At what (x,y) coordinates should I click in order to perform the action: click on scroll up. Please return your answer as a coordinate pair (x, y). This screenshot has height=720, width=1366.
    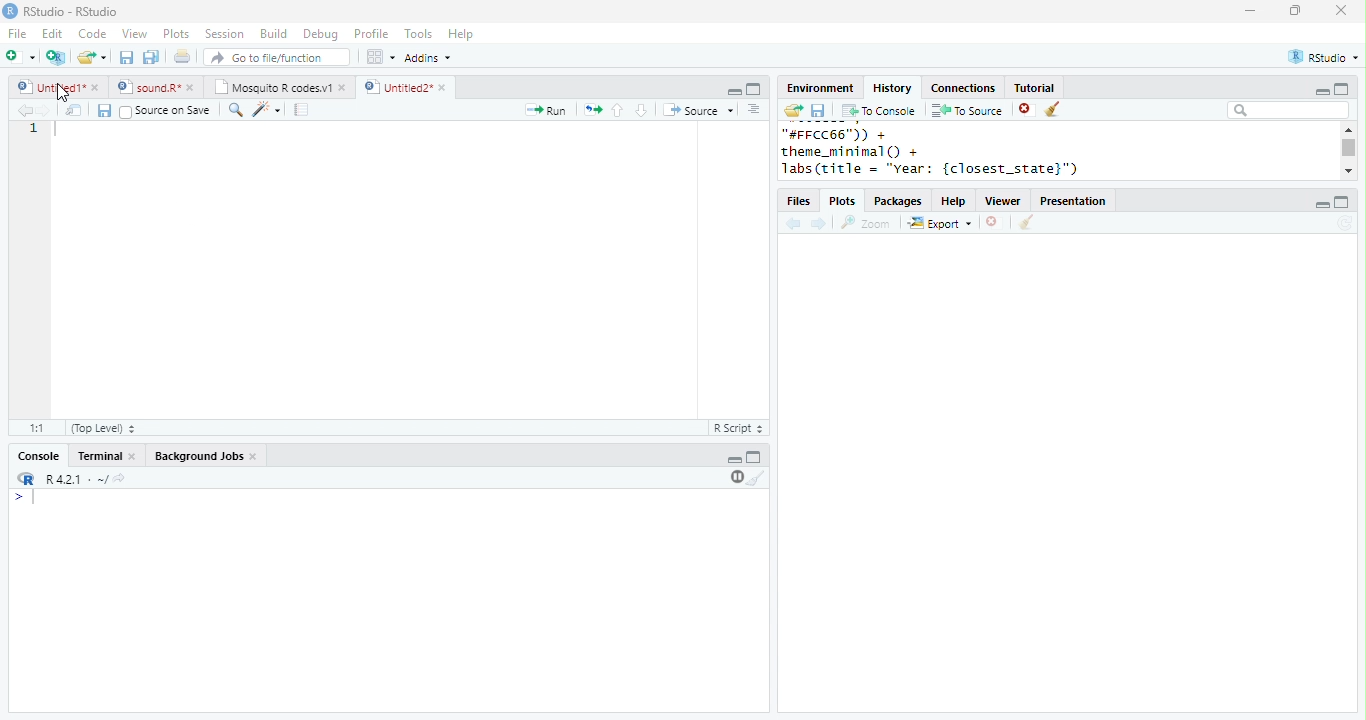
    Looking at the image, I should click on (1349, 129).